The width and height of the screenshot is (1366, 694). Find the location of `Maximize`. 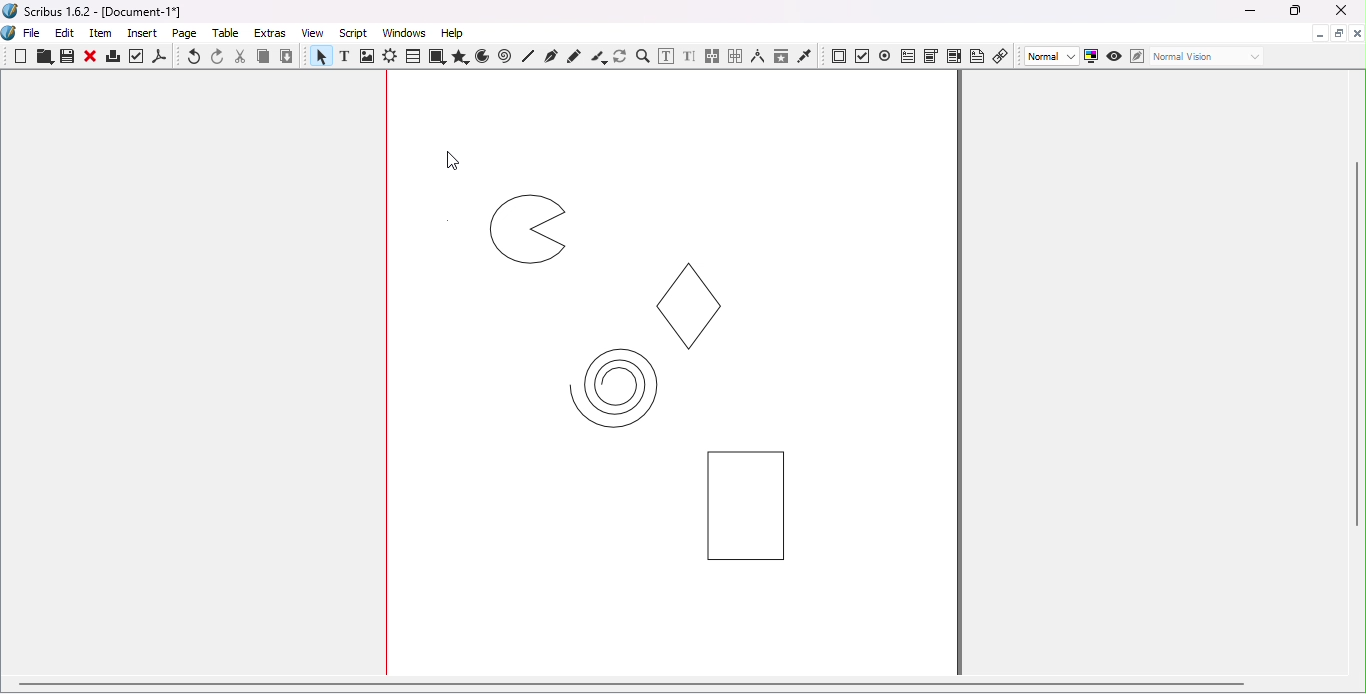

Maximize is located at coordinates (1293, 11).